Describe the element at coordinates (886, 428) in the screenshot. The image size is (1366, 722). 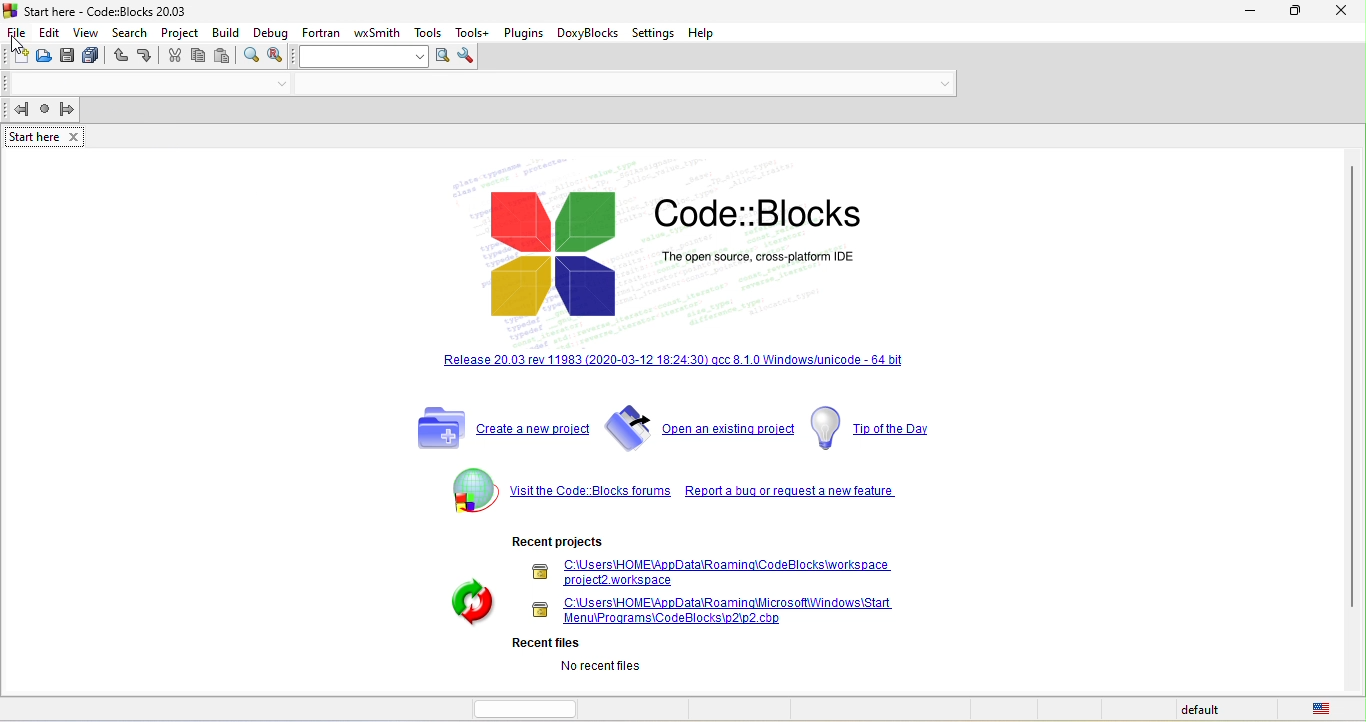
I see `tip of the day` at that location.